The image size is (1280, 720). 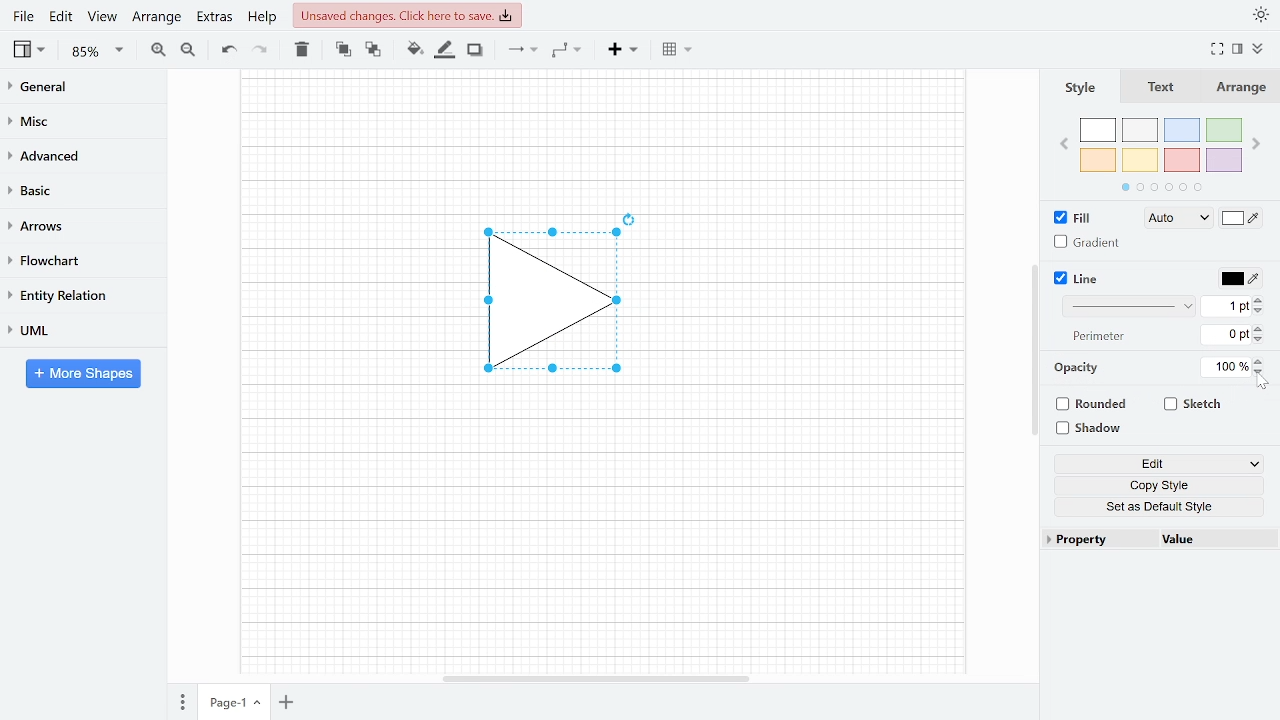 What do you see at coordinates (475, 50) in the screenshot?
I see `Shadow` at bounding box center [475, 50].